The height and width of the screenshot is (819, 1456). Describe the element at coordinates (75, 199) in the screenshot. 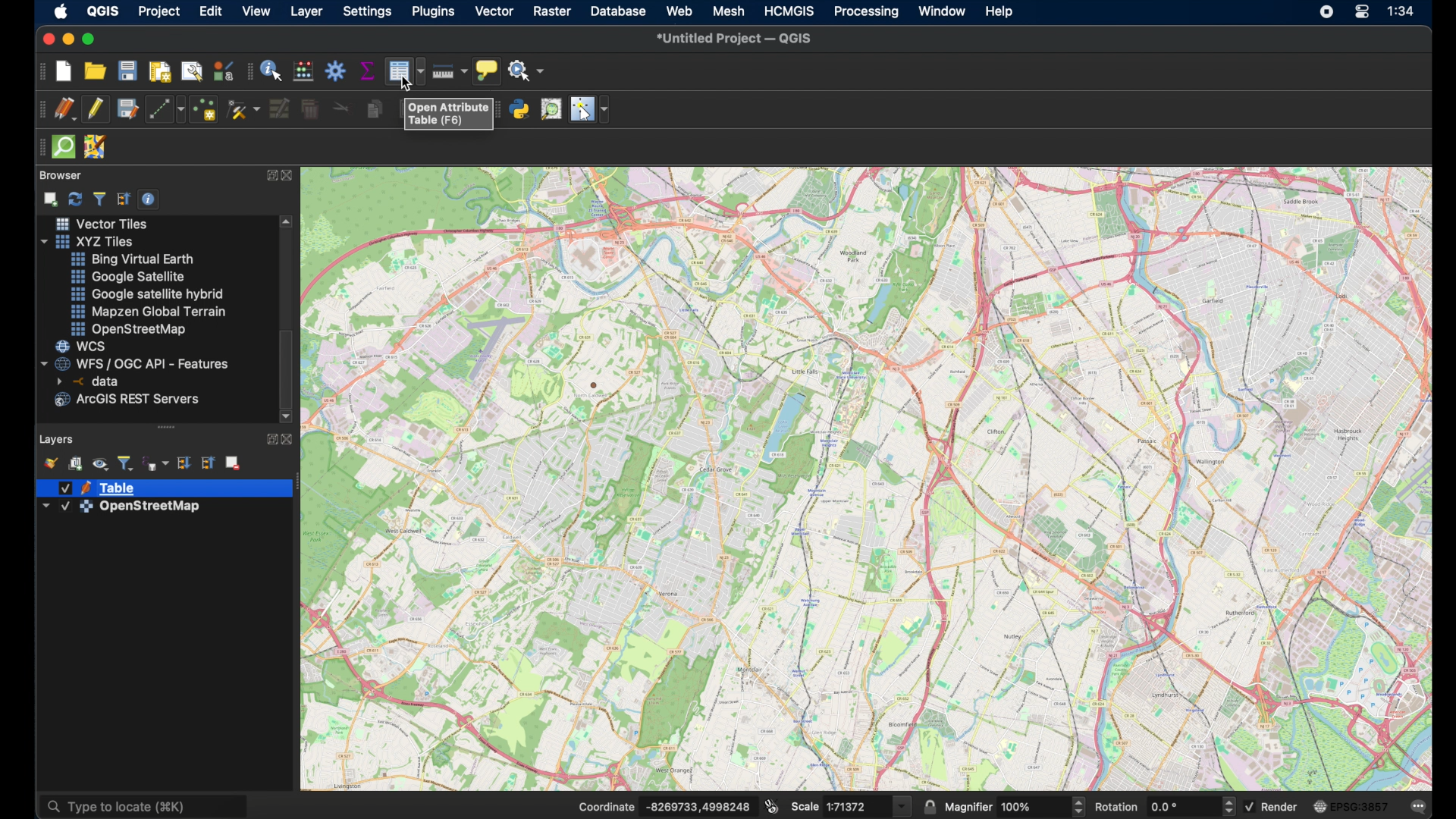

I see `refresh` at that location.